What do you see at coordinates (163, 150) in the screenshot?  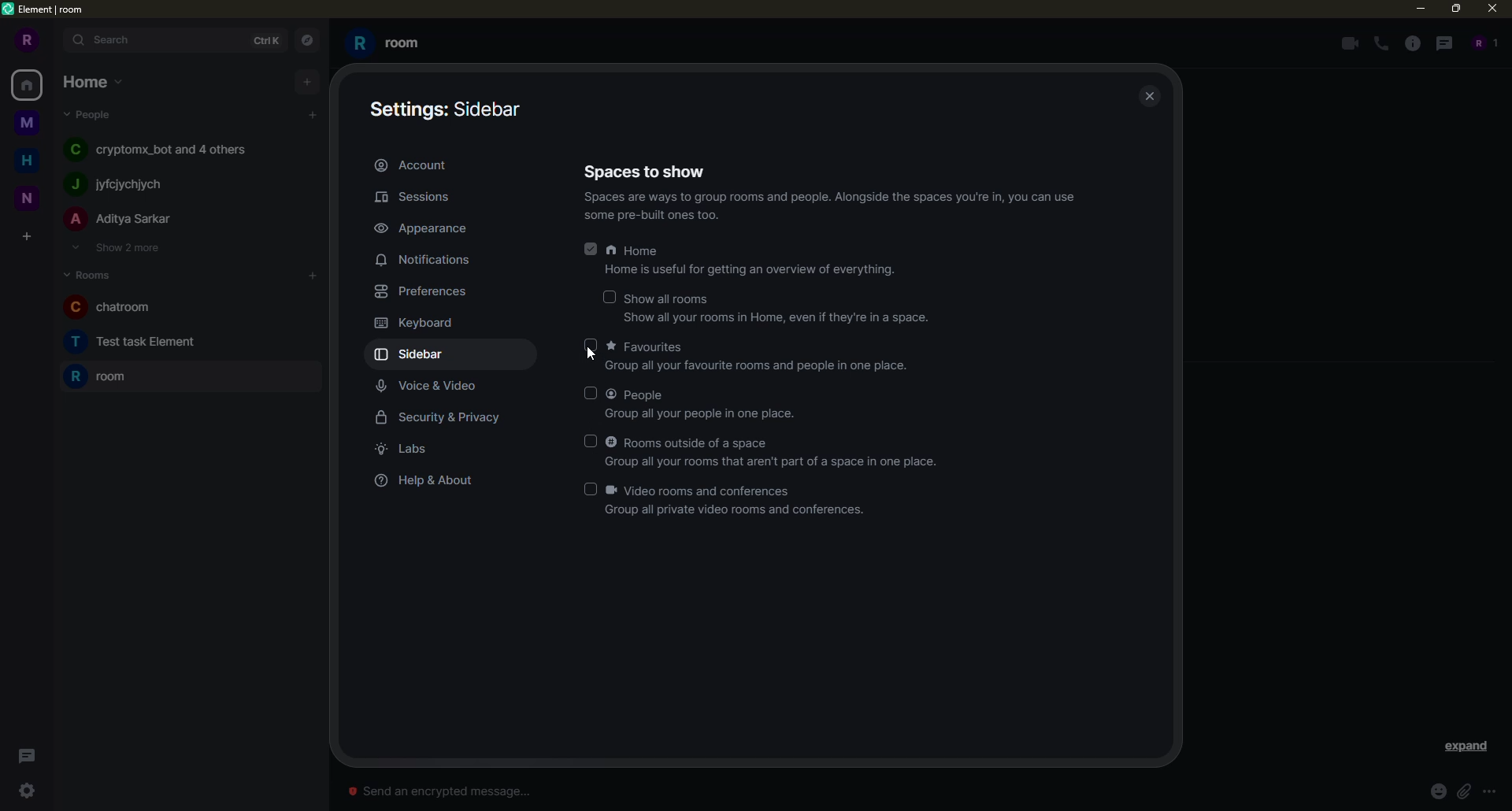 I see `C  cryptomx bot and 4 others` at bounding box center [163, 150].